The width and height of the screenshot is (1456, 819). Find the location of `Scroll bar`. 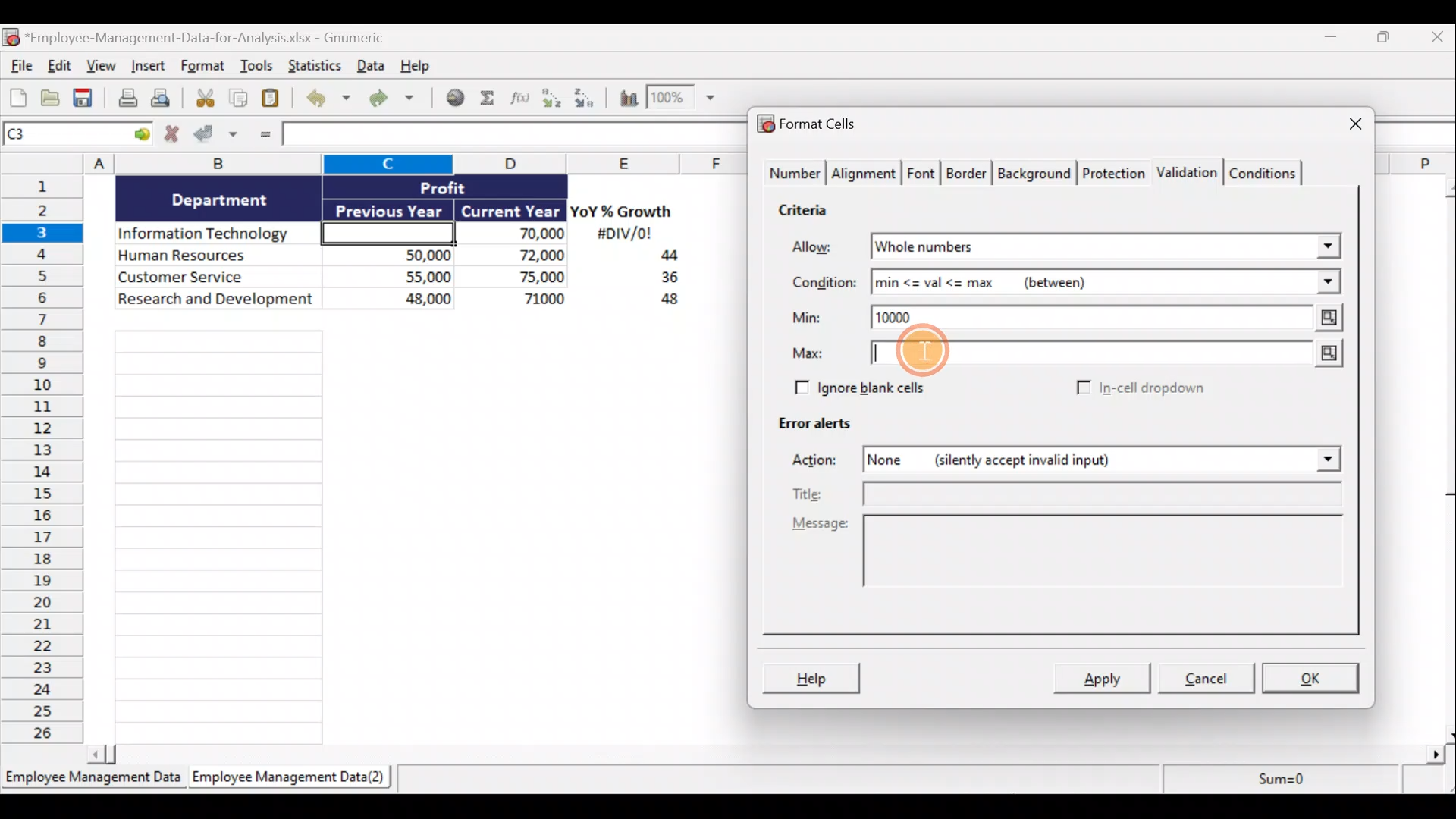

Scroll bar is located at coordinates (771, 752).